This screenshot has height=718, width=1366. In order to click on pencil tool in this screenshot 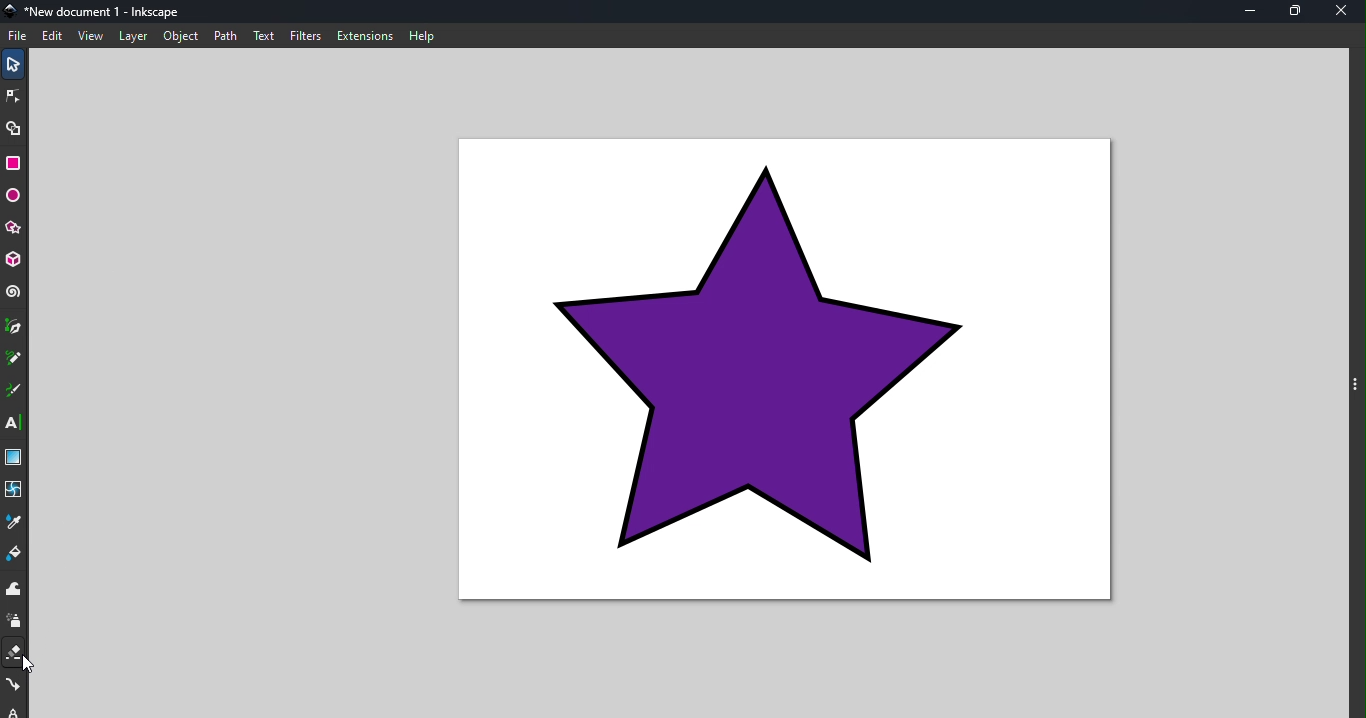, I will do `click(14, 359)`.